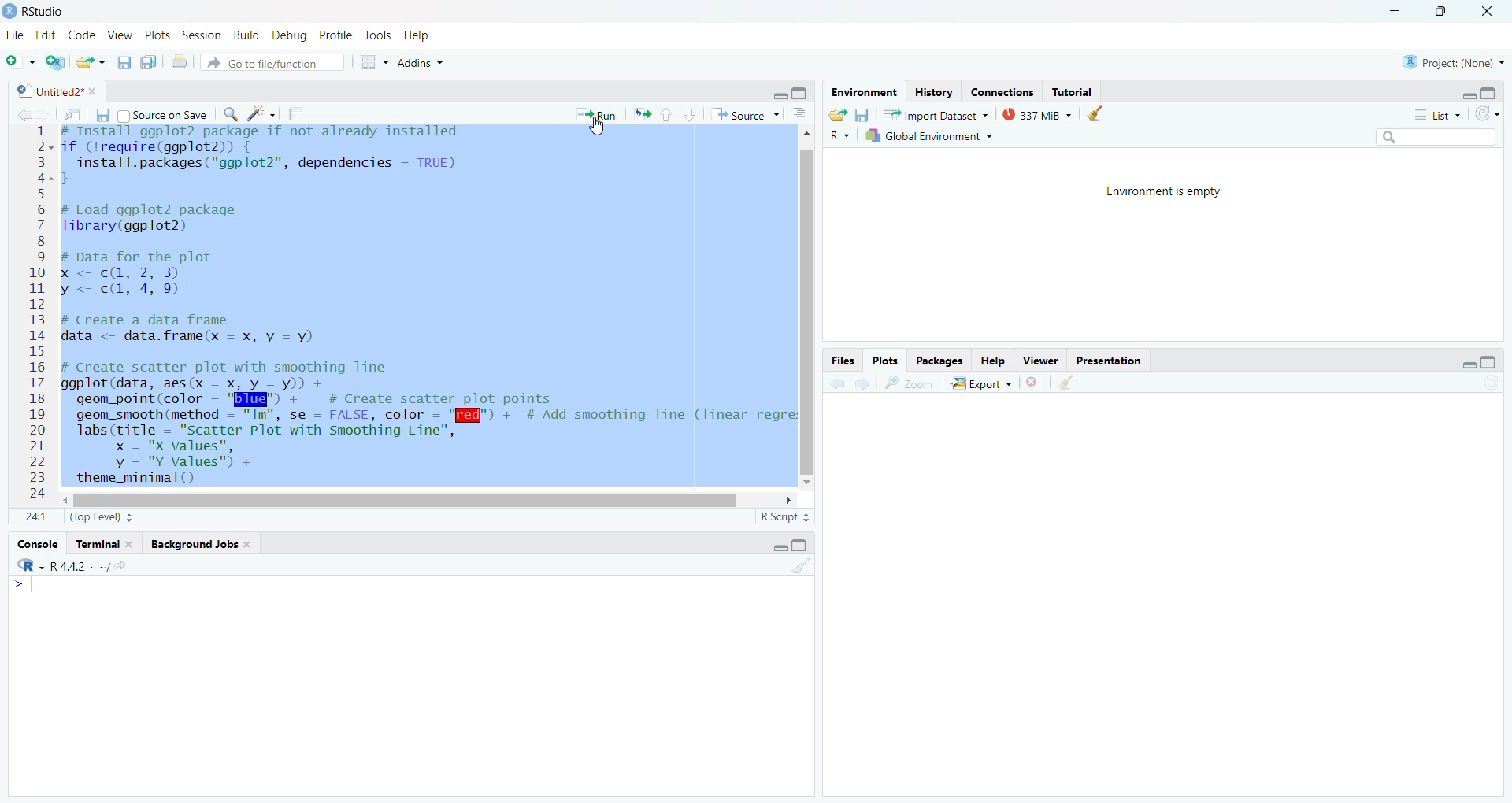  Describe the element at coordinates (1466, 91) in the screenshot. I see `hide r script` at that location.